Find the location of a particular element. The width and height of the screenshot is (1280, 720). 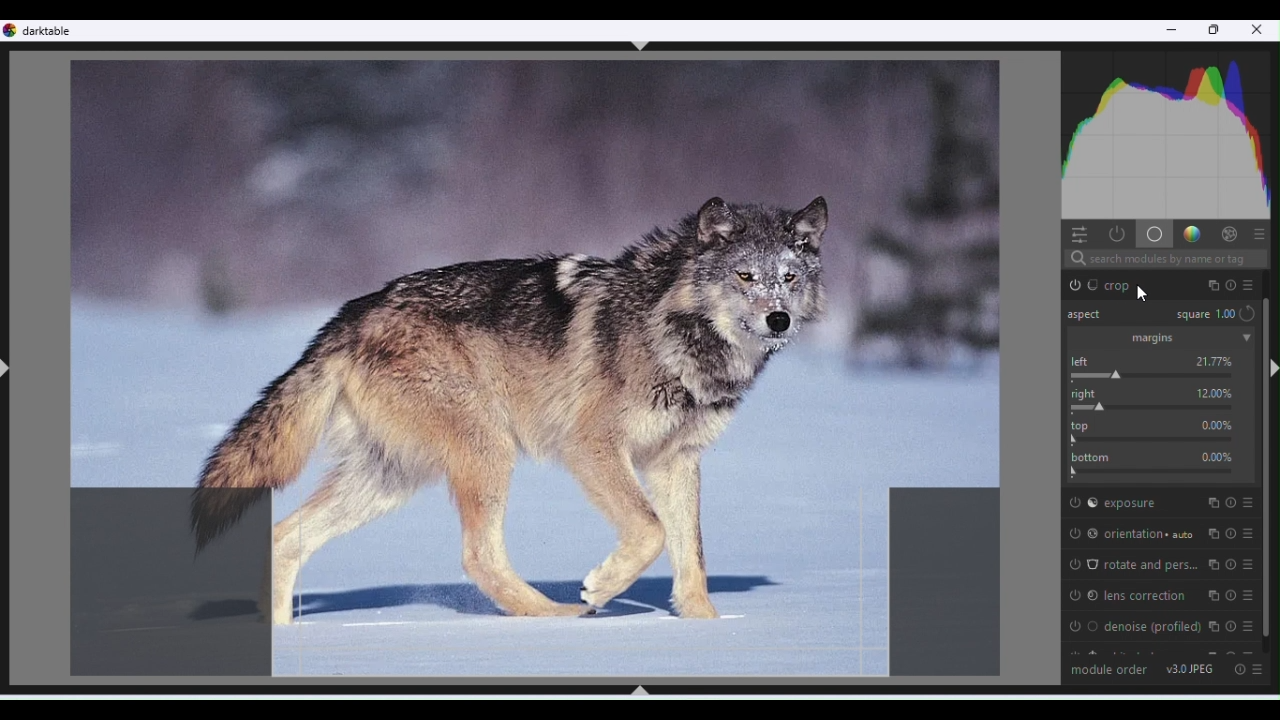

Image is located at coordinates (531, 368).